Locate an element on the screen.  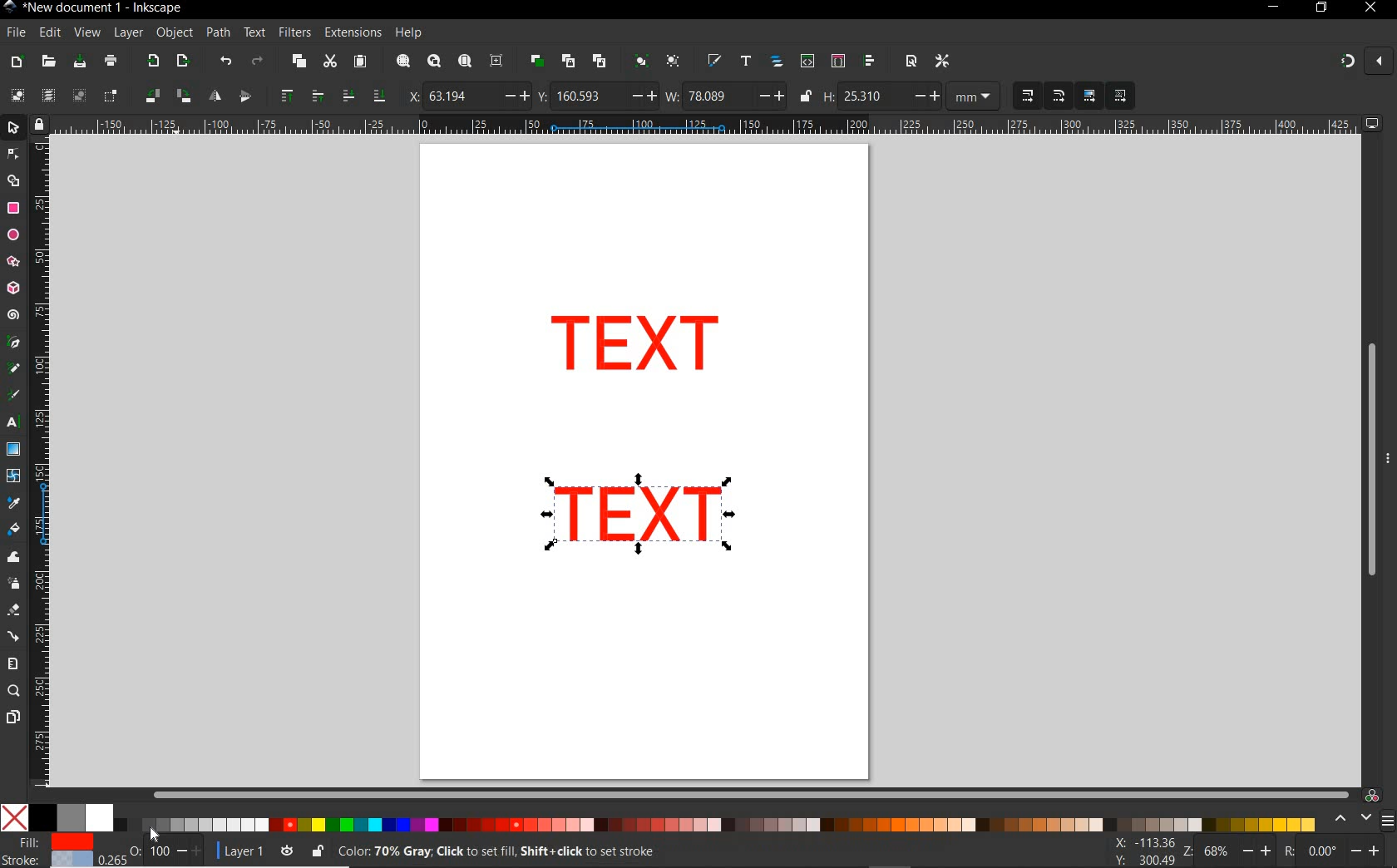
path is located at coordinates (218, 33).